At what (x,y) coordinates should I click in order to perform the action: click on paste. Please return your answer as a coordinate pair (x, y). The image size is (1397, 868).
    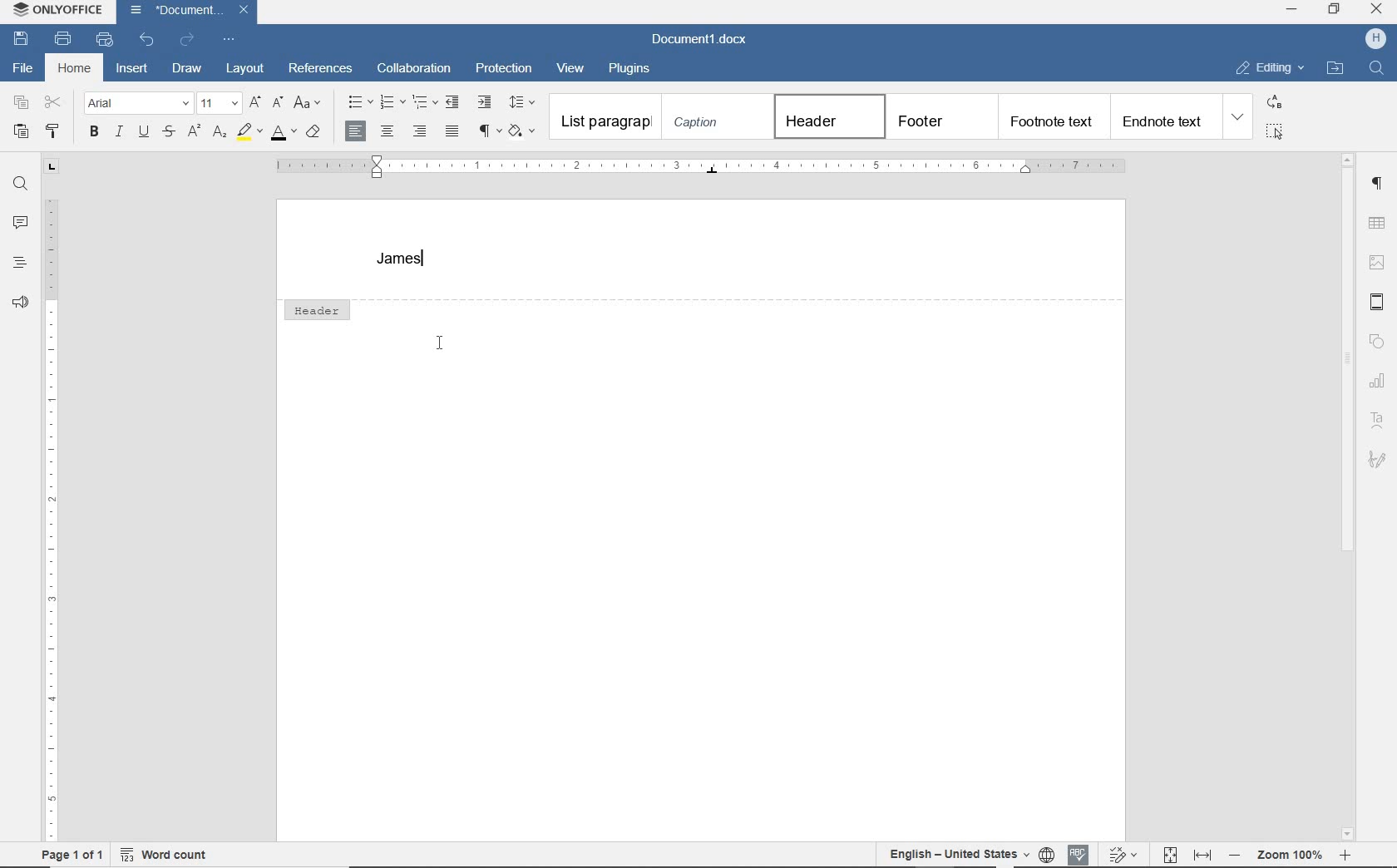
    Looking at the image, I should click on (22, 131).